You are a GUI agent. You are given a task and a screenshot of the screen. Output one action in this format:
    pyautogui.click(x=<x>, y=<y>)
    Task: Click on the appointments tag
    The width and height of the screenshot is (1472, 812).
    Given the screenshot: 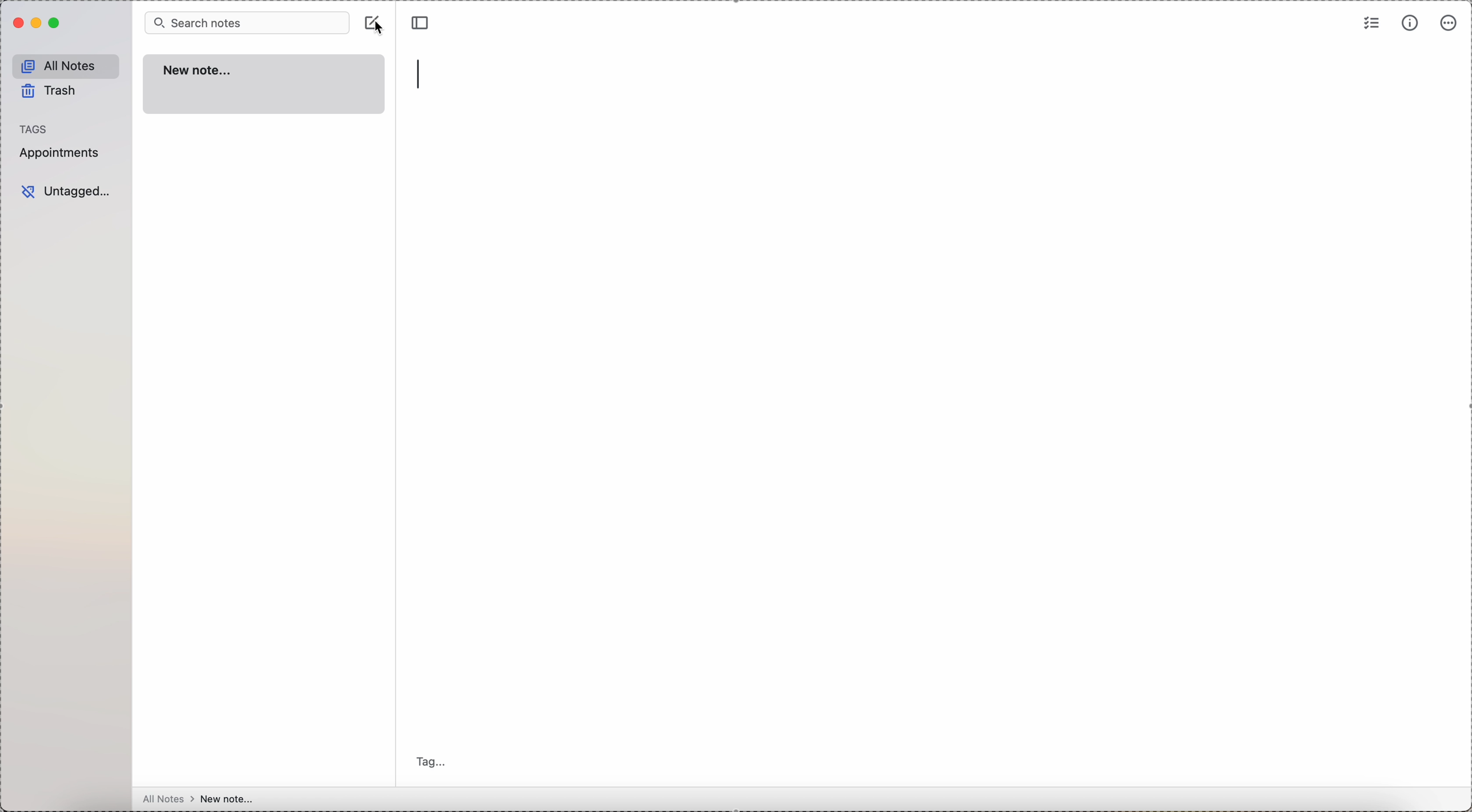 What is the action you would take?
    pyautogui.click(x=60, y=154)
    